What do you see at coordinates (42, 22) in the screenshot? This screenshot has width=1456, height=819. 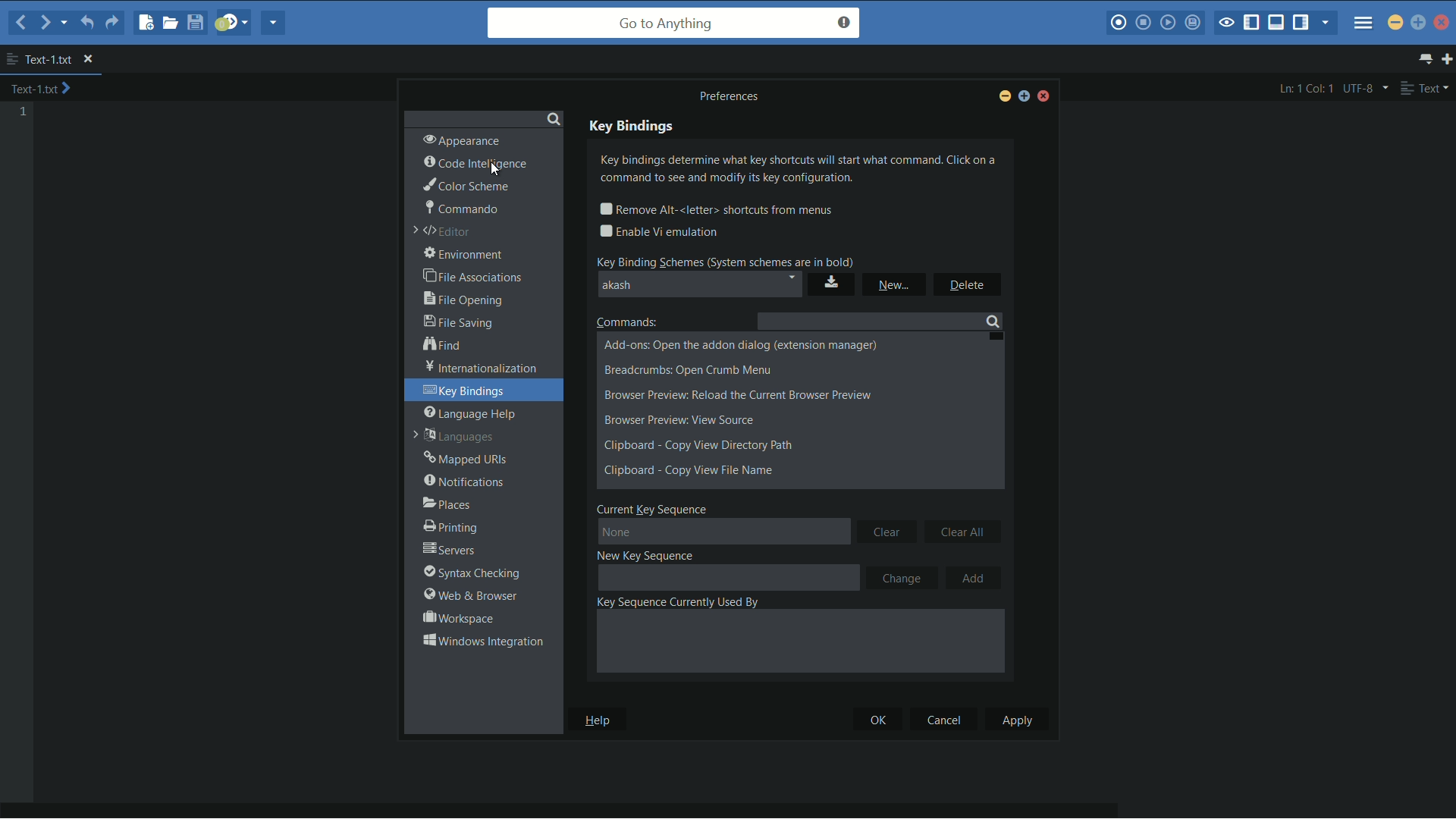 I see `forward` at bounding box center [42, 22].